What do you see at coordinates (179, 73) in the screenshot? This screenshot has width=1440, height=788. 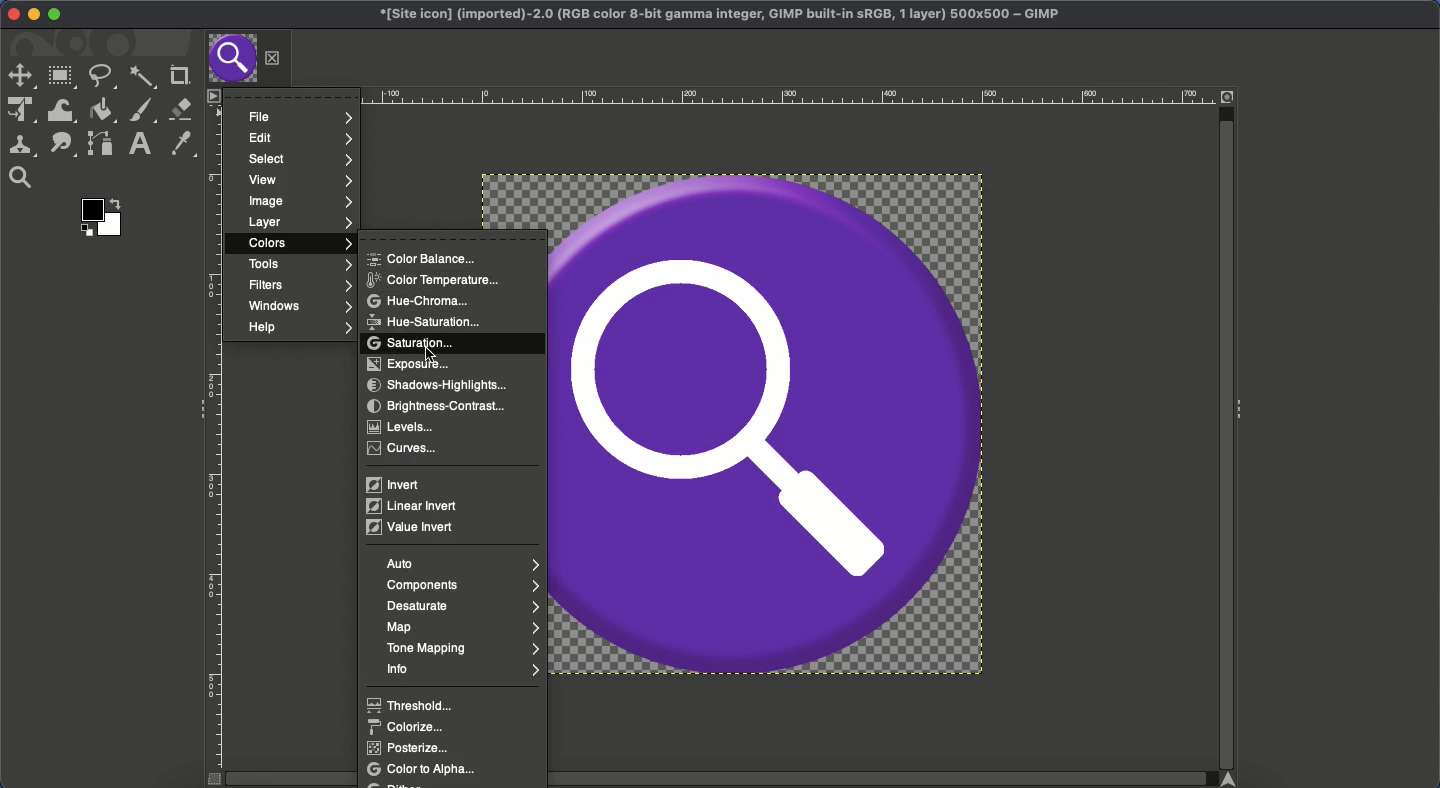 I see `Crop` at bounding box center [179, 73].